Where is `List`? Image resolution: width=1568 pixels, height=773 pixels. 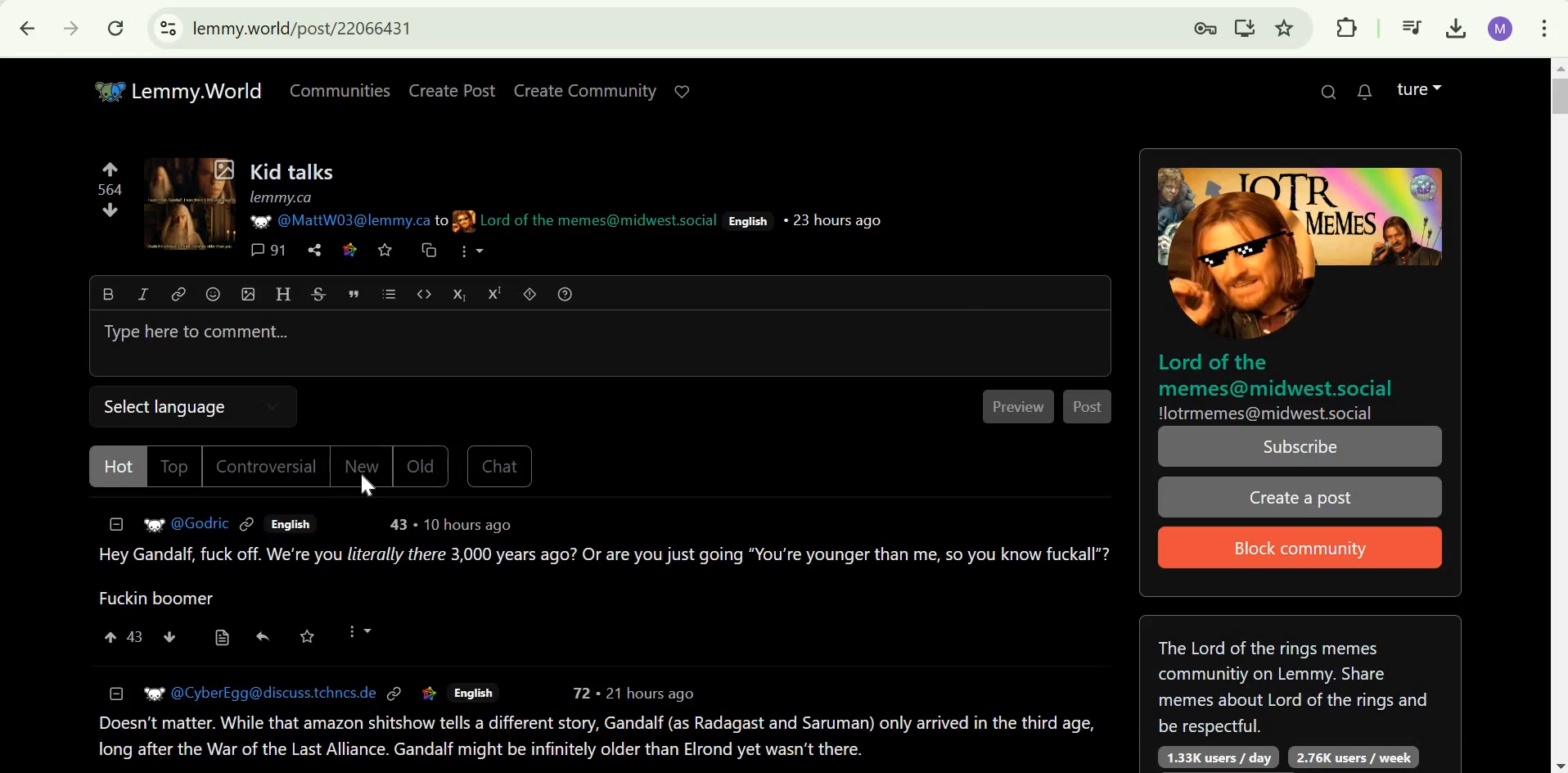 List is located at coordinates (387, 293).